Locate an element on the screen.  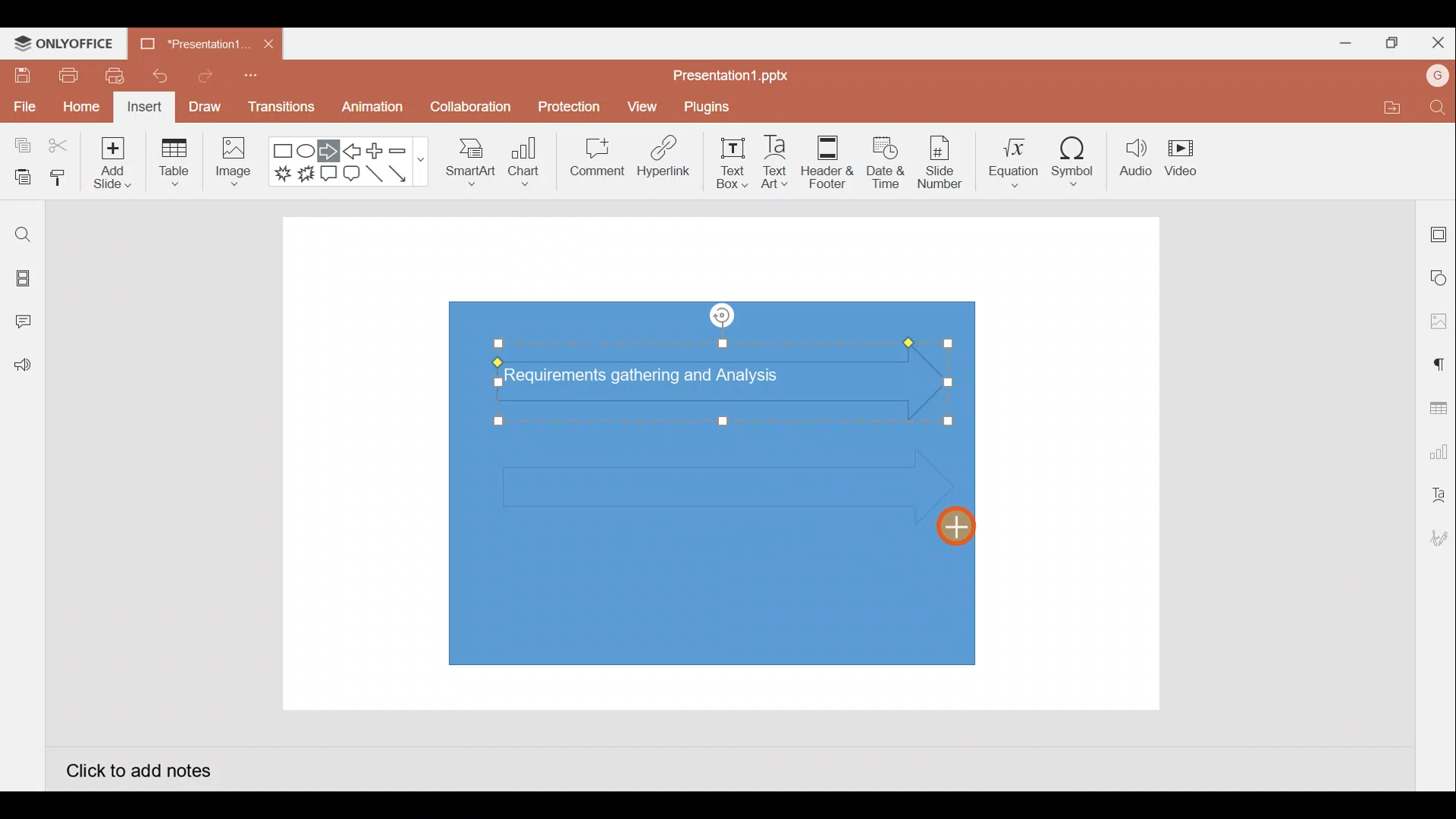
Image is located at coordinates (231, 165).